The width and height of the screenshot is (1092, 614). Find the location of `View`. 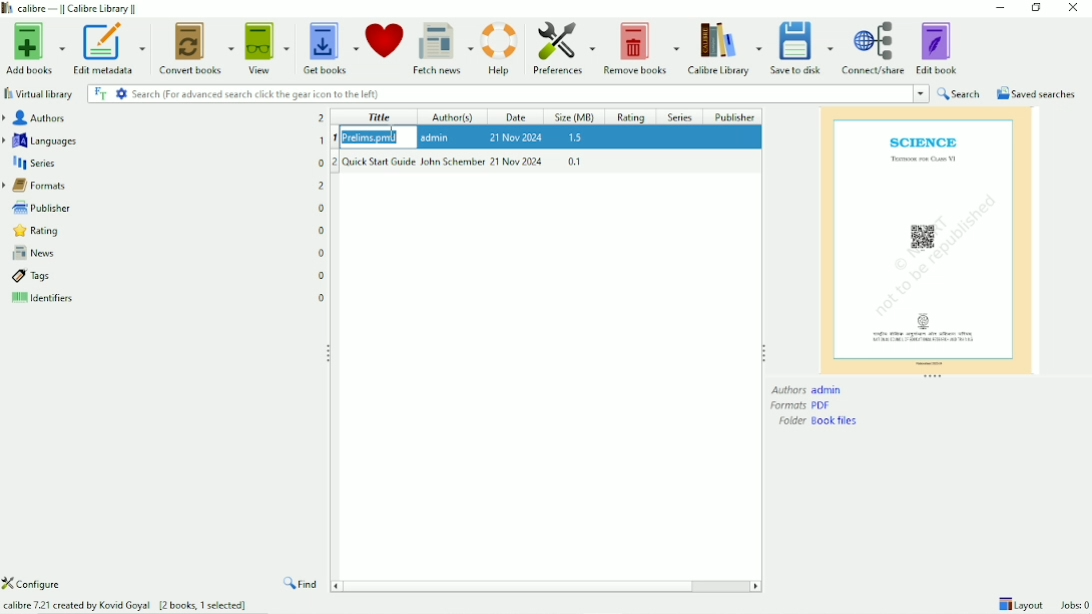

View is located at coordinates (268, 48).